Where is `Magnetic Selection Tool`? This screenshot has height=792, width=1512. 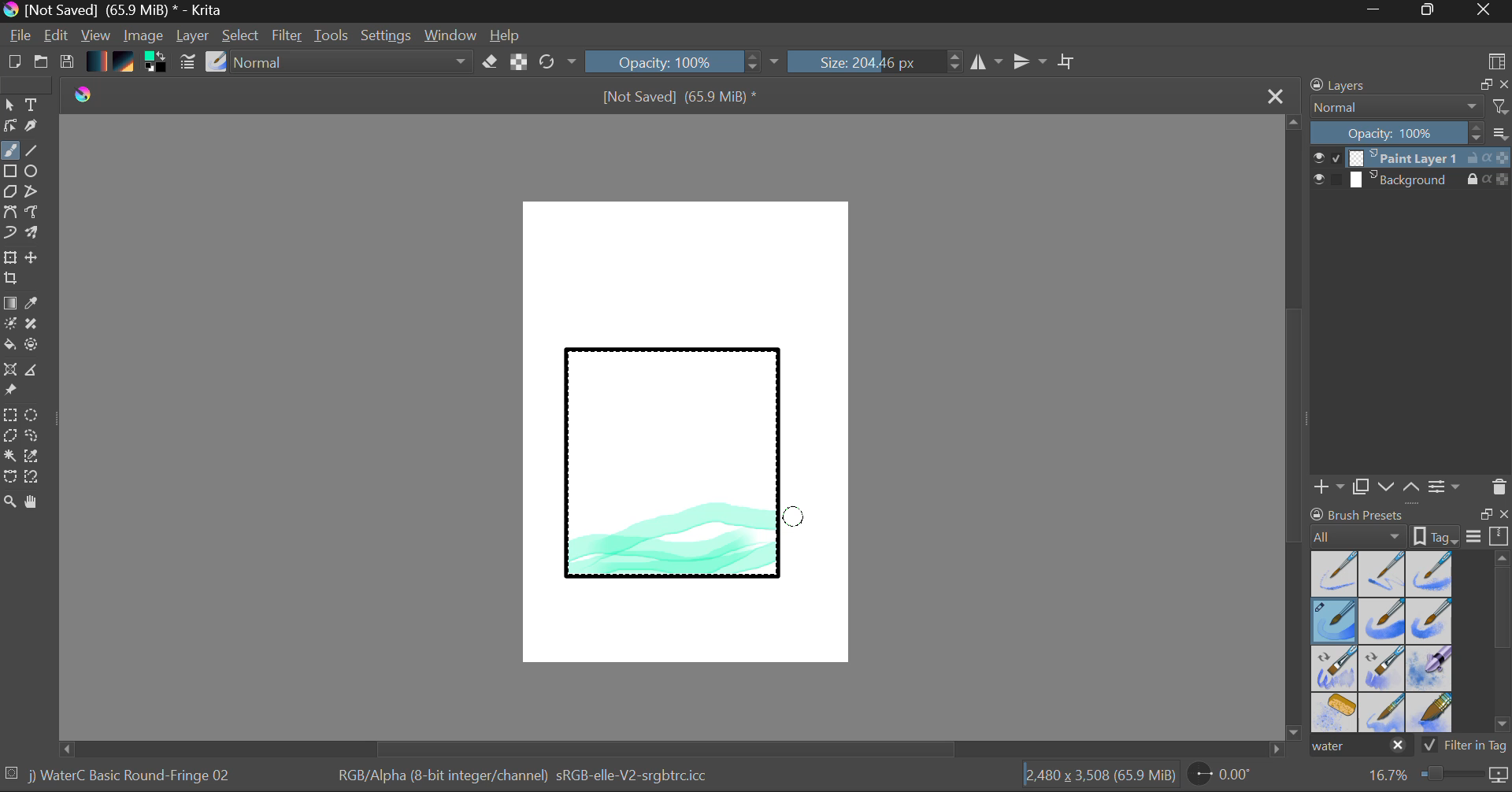 Magnetic Selection Tool is located at coordinates (32, 477).